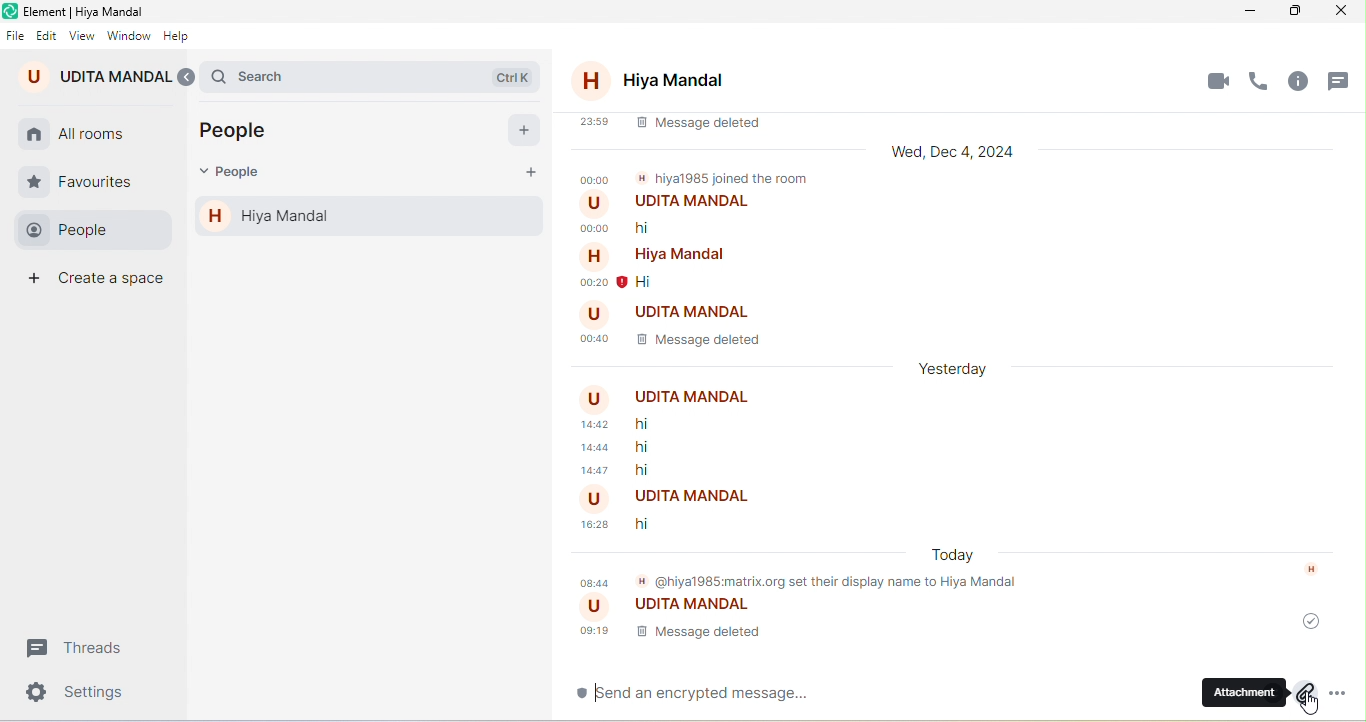  What do you see at coordinates (596, 399) in the screenshot?
I see `User profile` at bounding box center [596, 399].